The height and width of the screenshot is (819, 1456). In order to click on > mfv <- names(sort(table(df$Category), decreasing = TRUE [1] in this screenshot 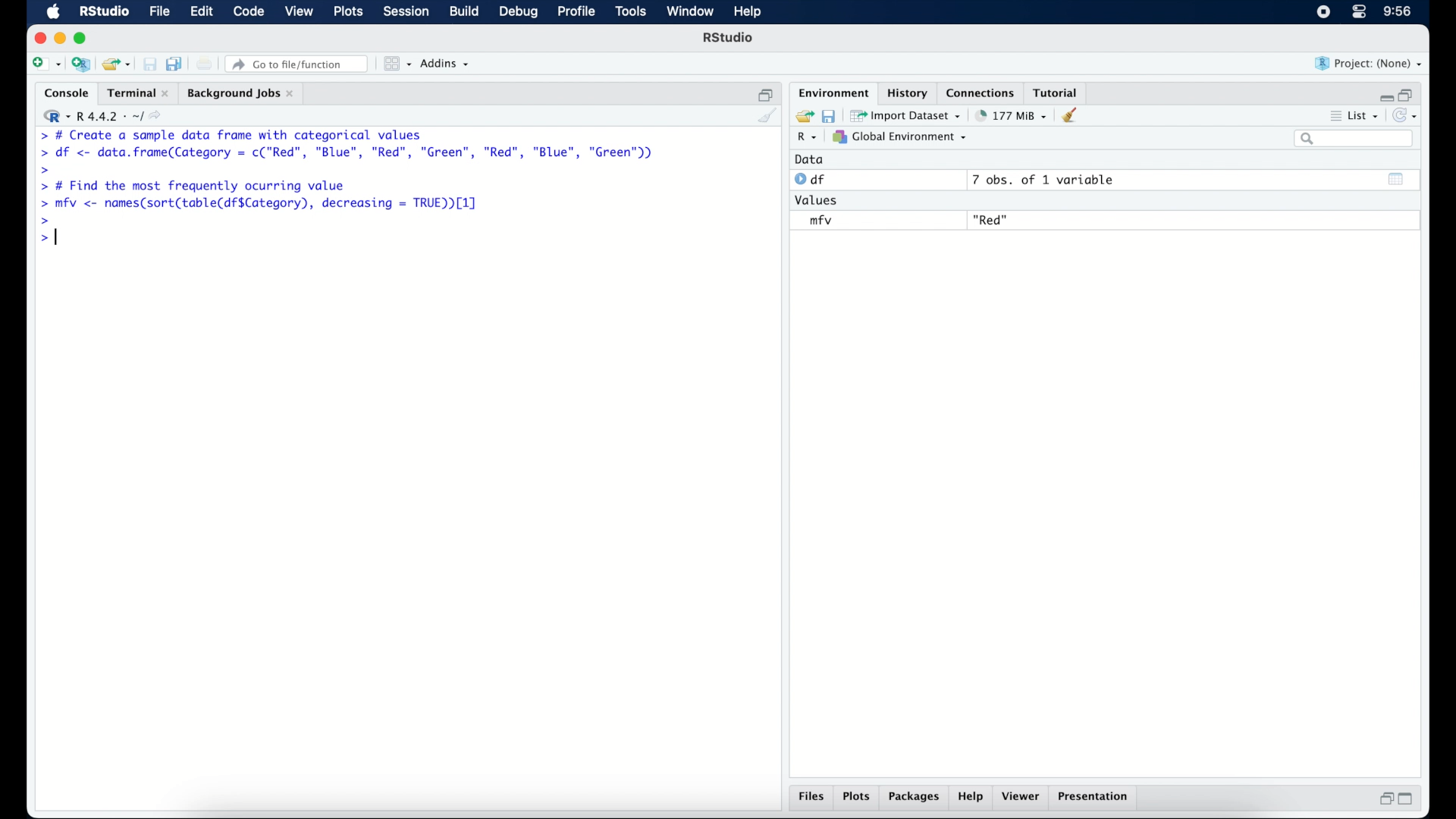, I will do `click(261, 204)`.